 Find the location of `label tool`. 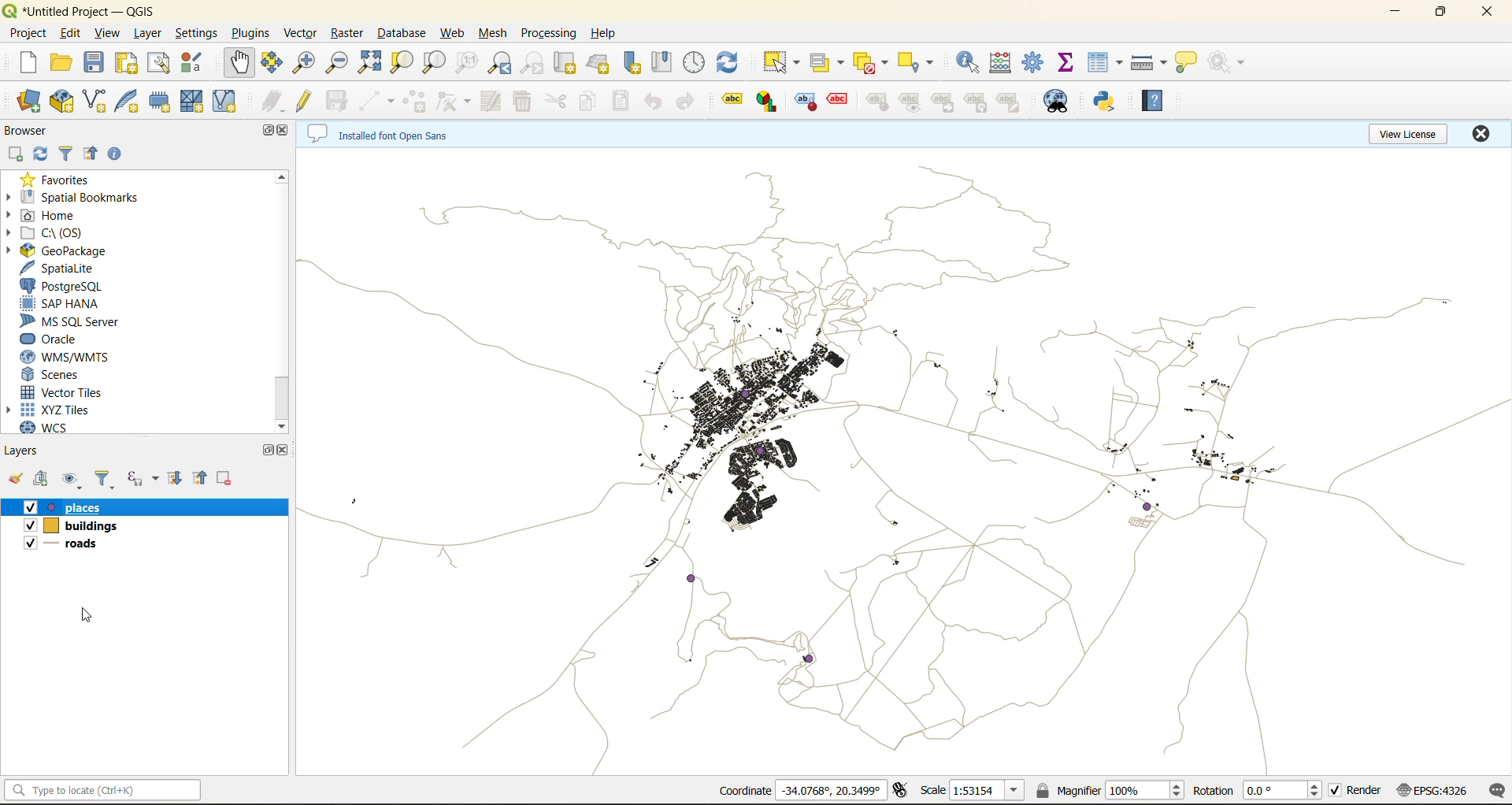

label tool is located at coordinates (978, 103).